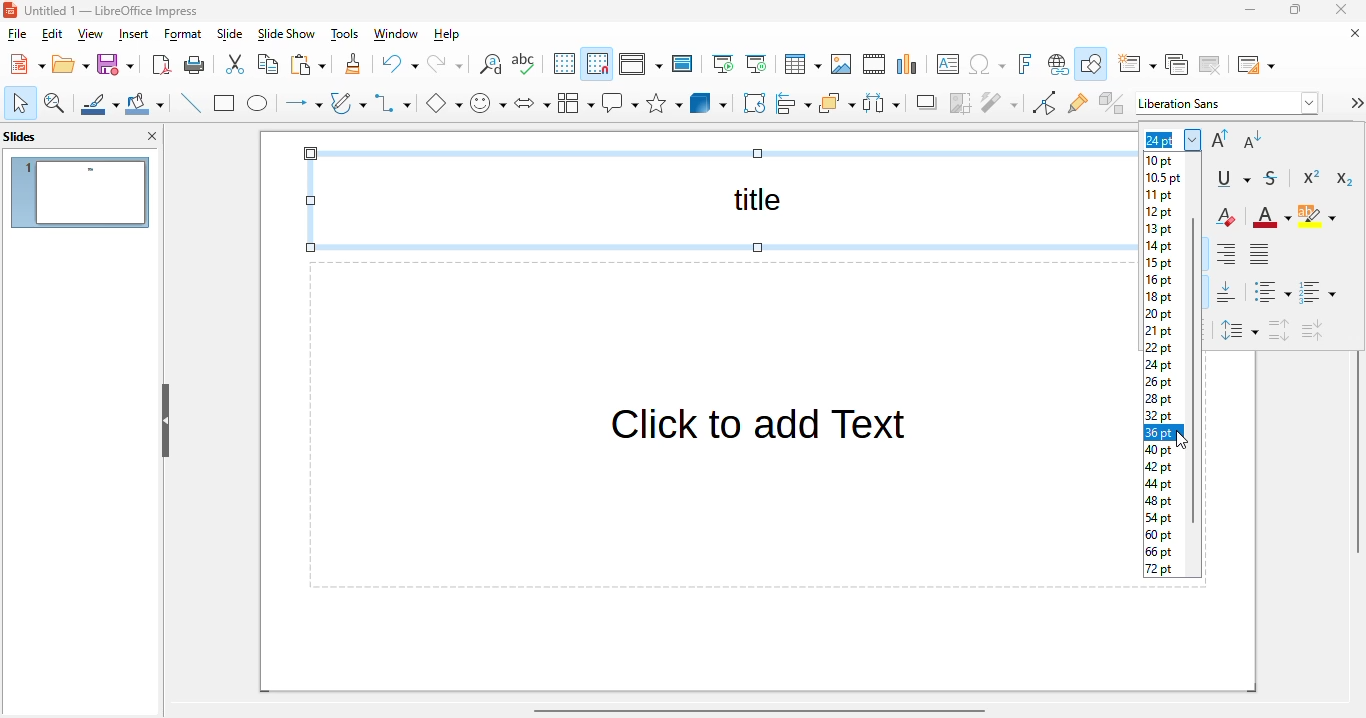 Image resolution: width=1366 pixels, height=718 pixels. Describe the element at coordinates (908, 65) in the screenshot. I see `insert chart` at that location.